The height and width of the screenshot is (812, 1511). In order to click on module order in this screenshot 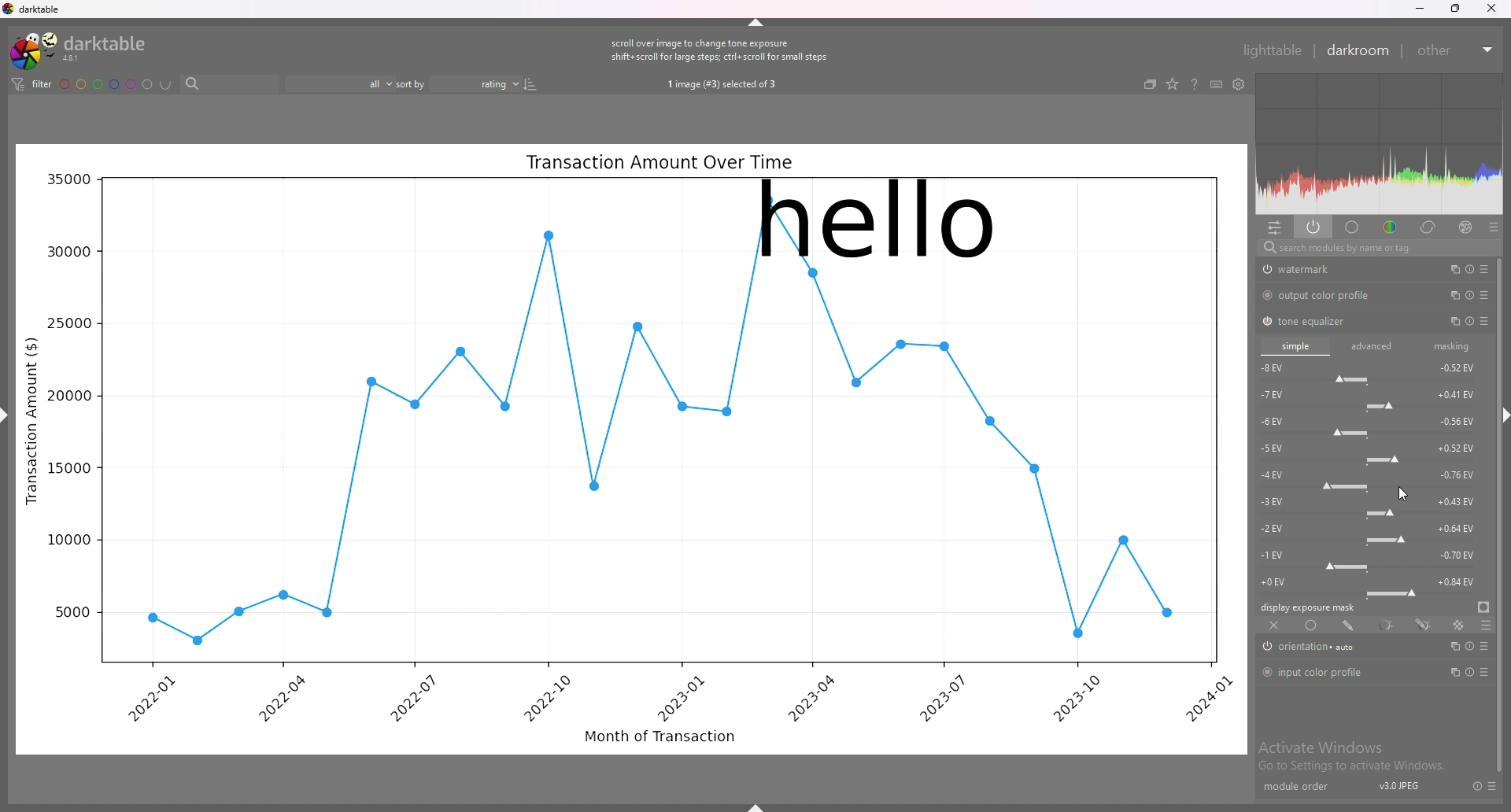, I will do `click(1299, 787)`.